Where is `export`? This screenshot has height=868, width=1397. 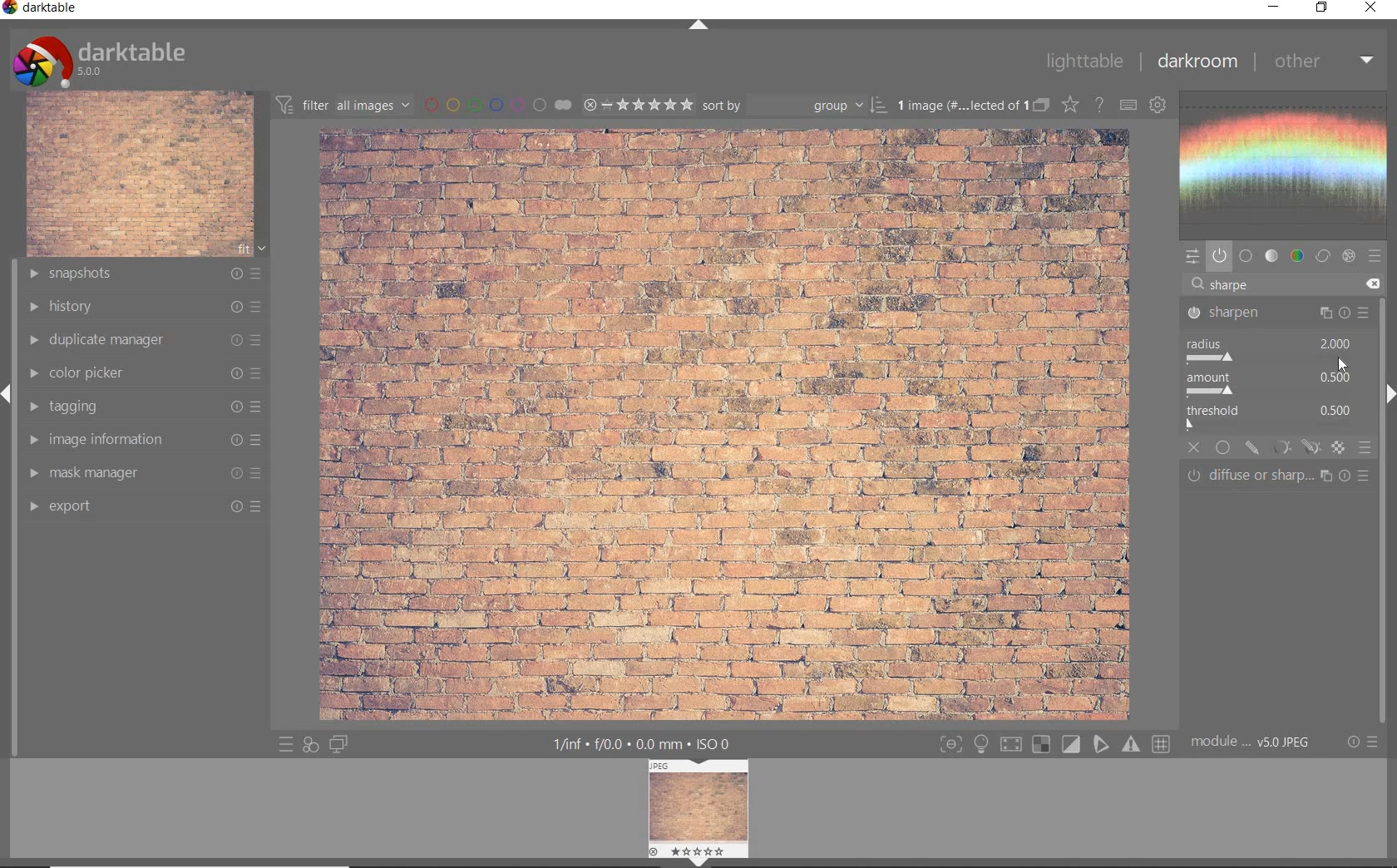
export is located at coordinates (144, 509).